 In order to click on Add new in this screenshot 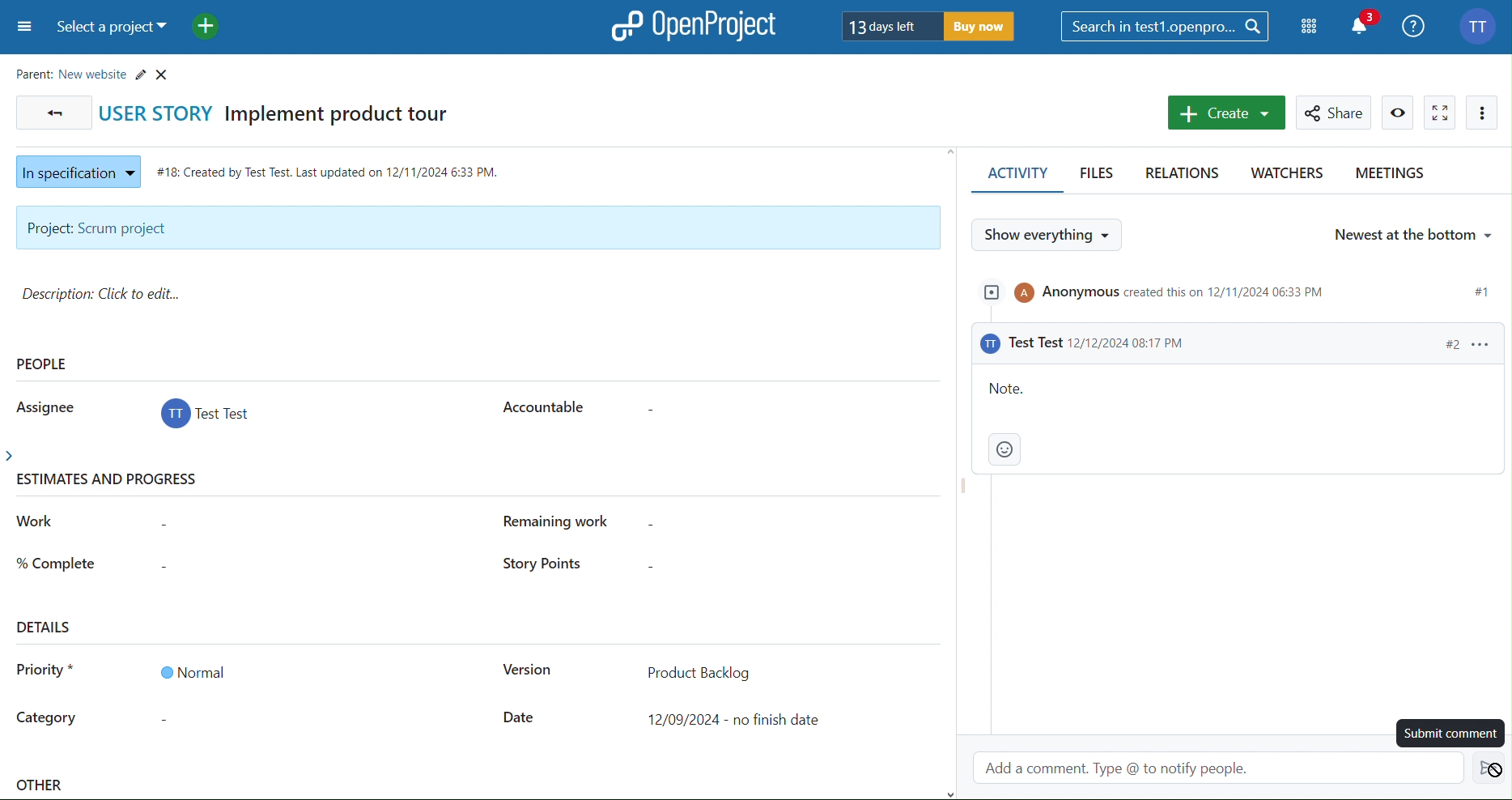, I will do `click(205, 28)`.